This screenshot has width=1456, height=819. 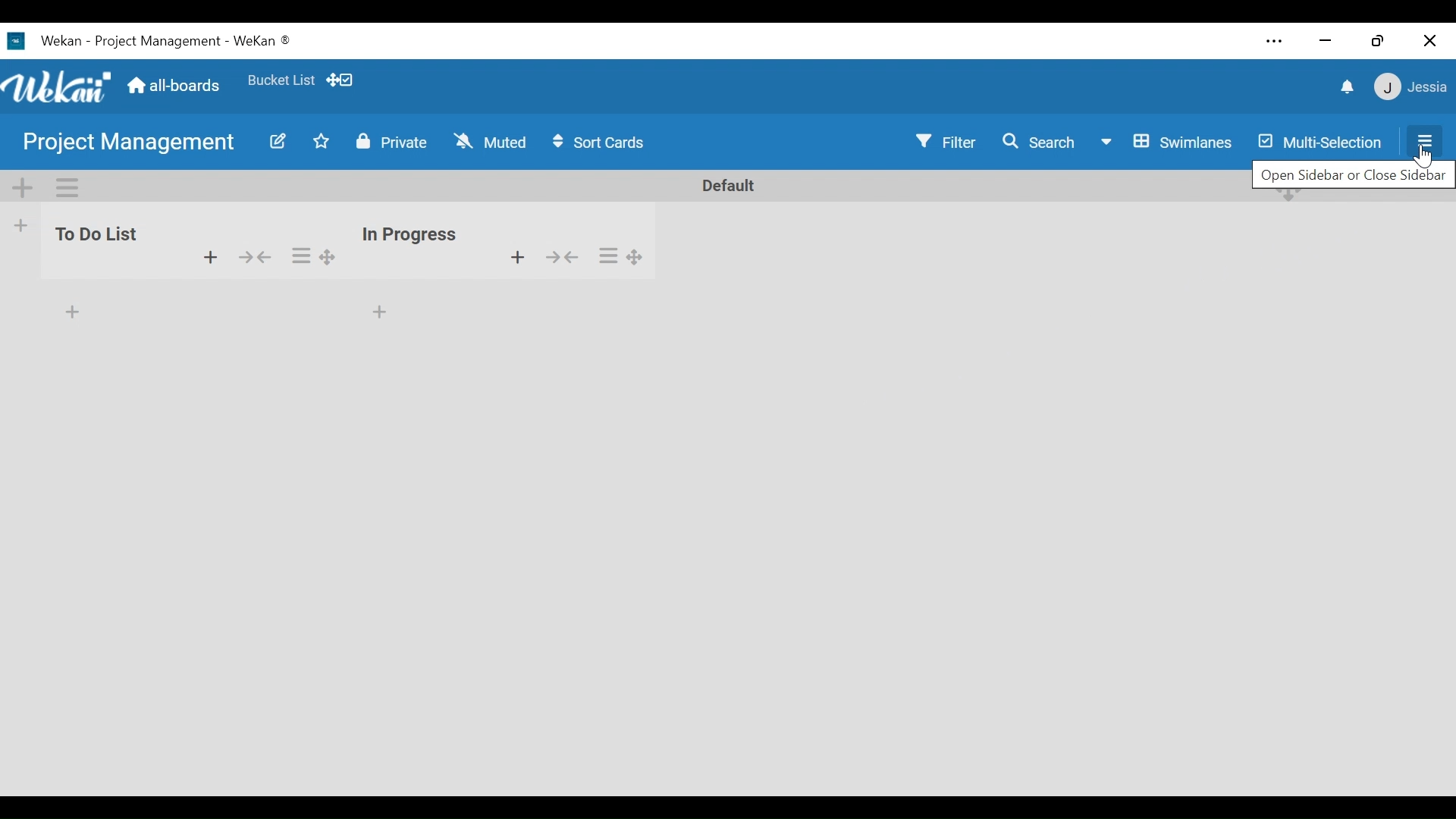 I want to click on Home (all-boars, so click(x=177, y=86).